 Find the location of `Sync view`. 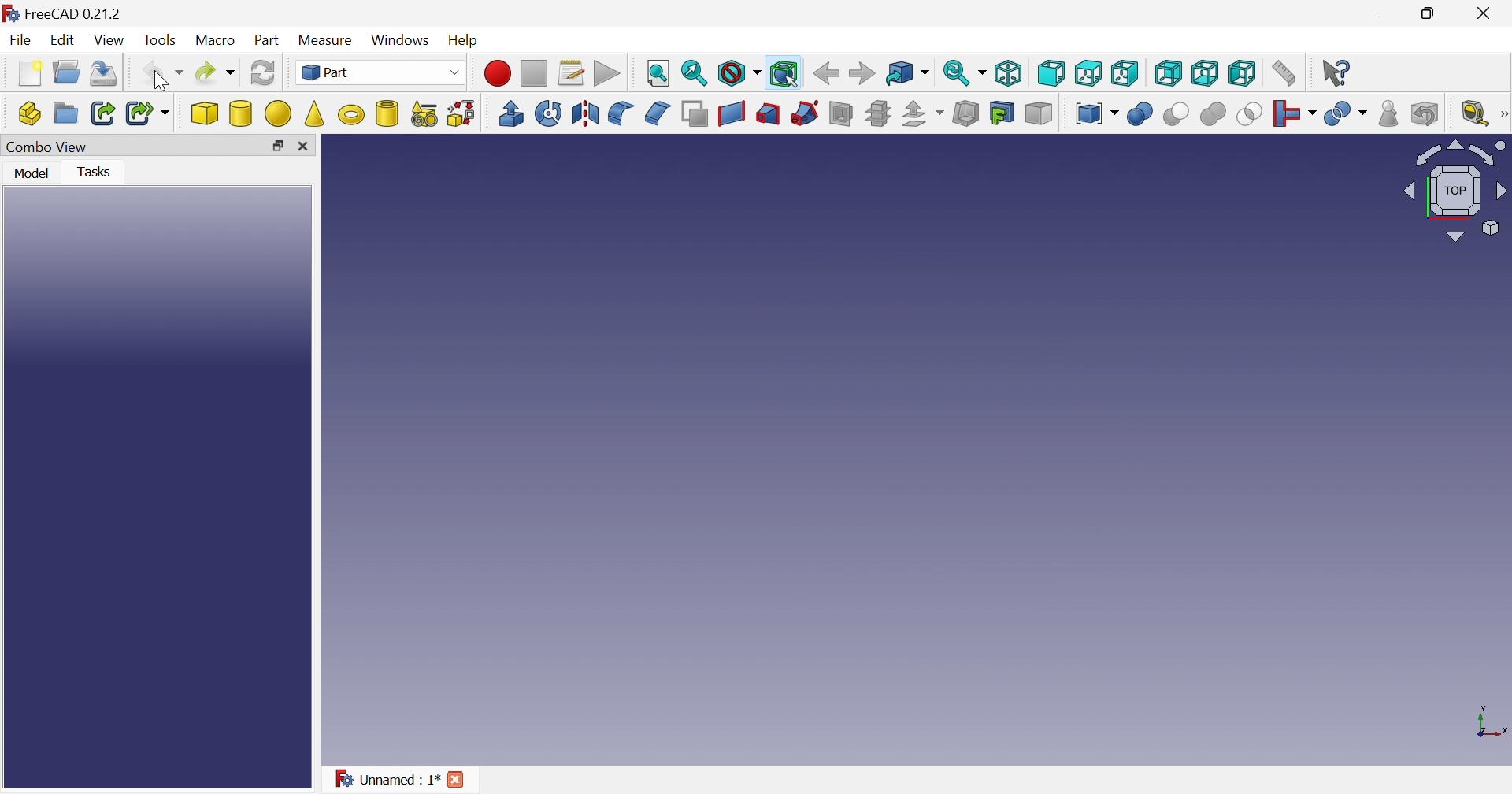

Sync view is located at coordinates (965, 73).